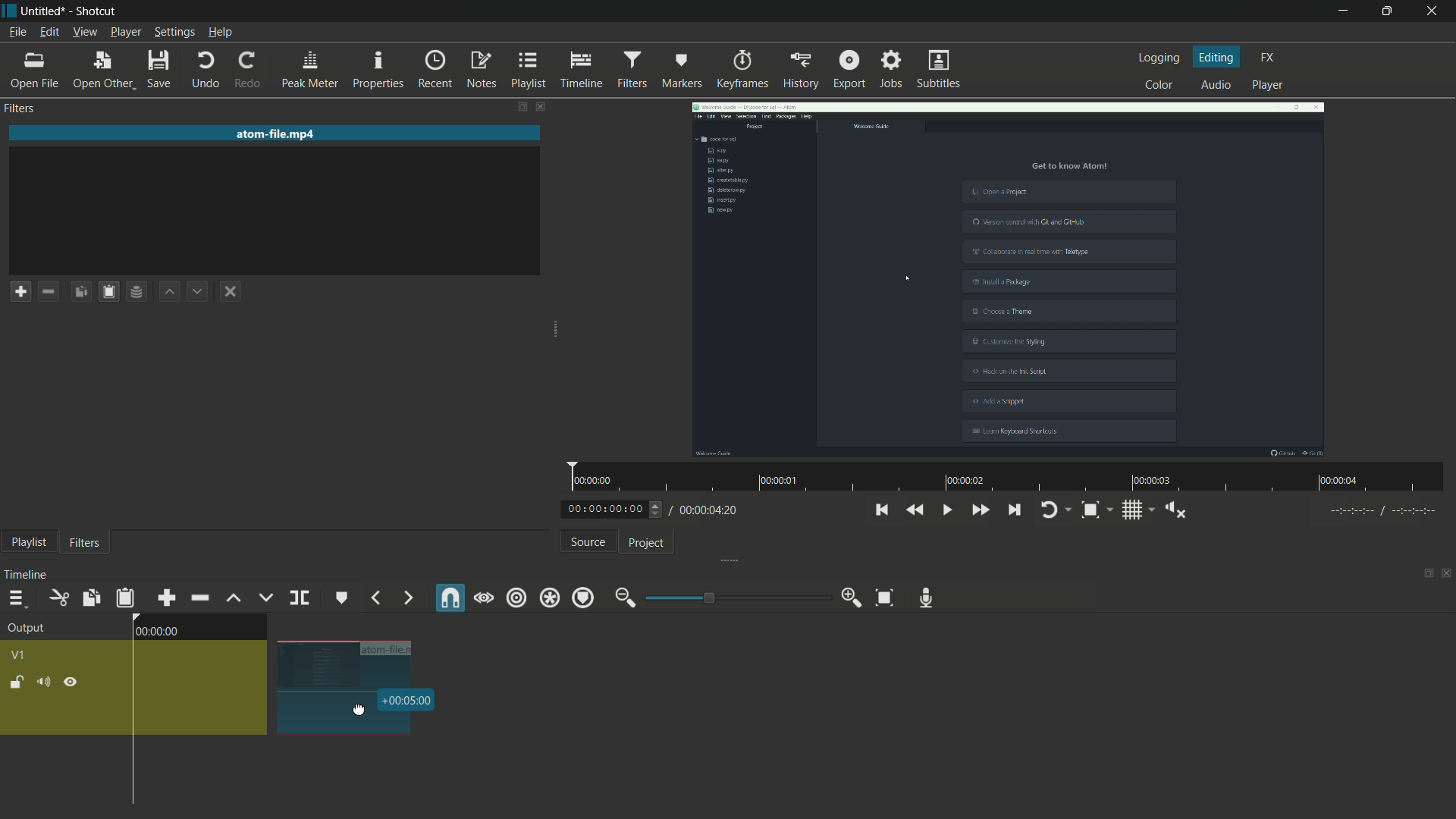 This screenshot has width=1456, height=819. What do you see at coordinates (263, 598) in the screenshot?
I see `overwrite` at bounding box center [263, 598].